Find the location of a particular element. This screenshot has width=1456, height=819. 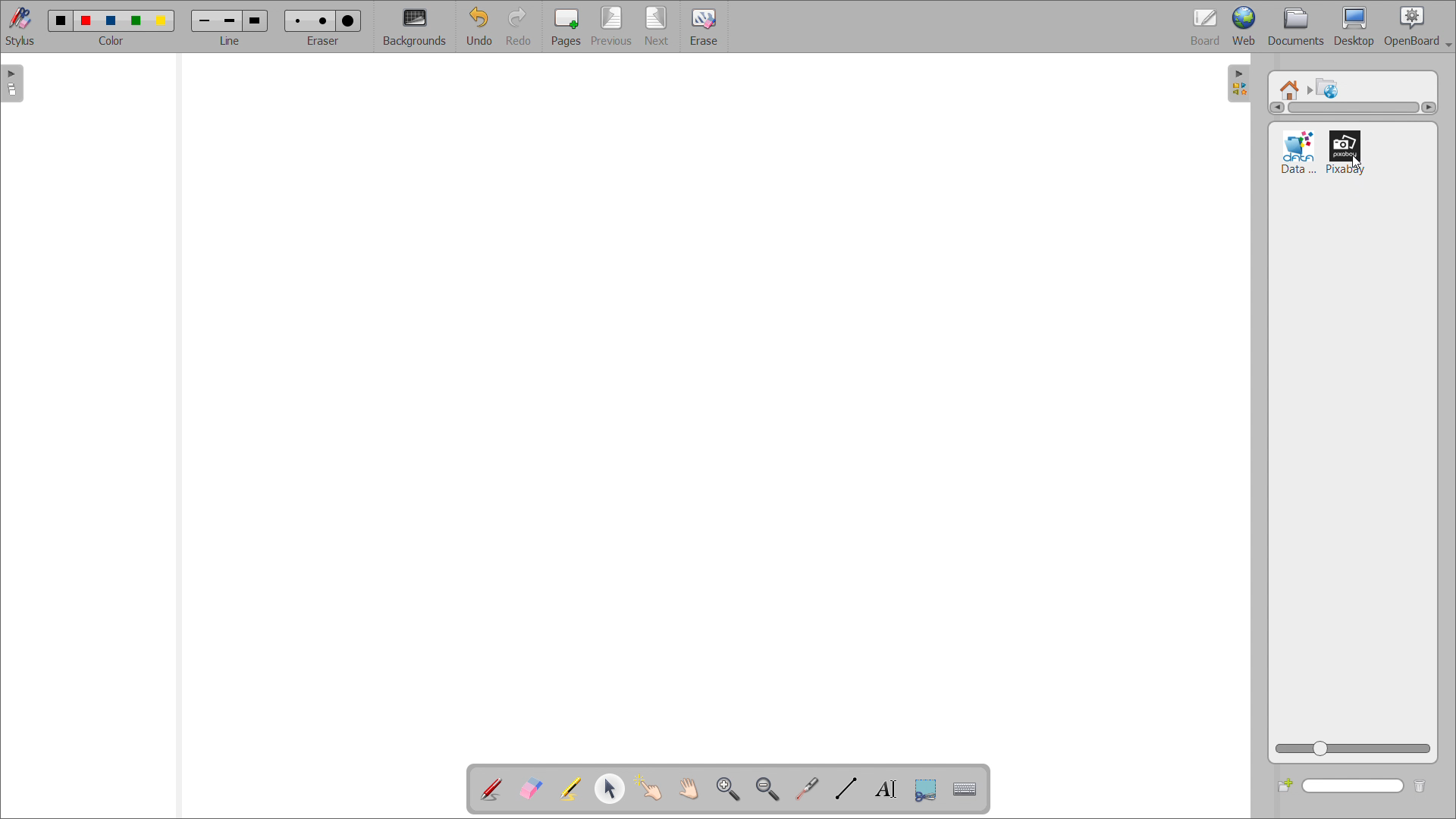

Large line is located at coordinates (256, 20).